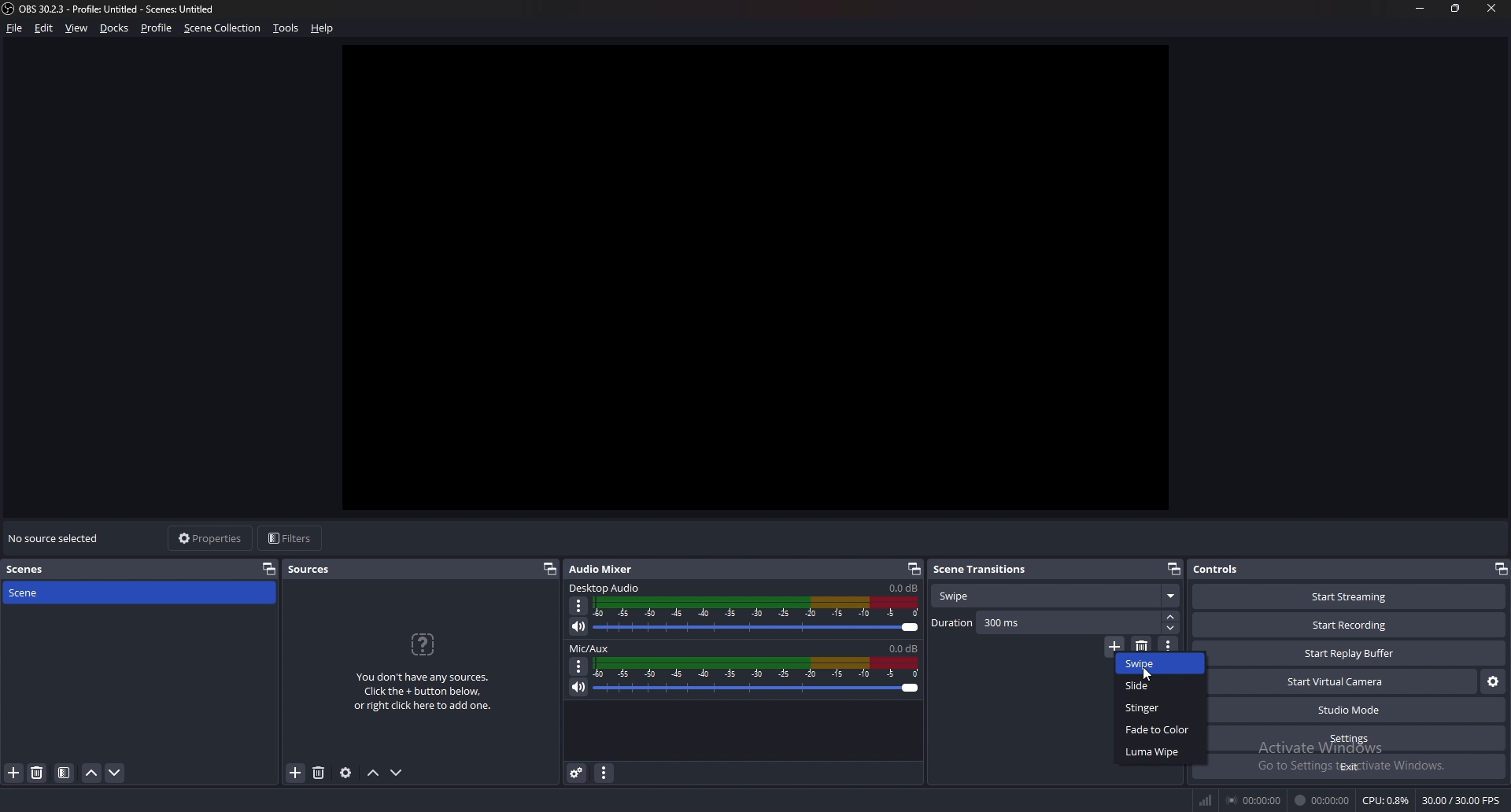  Describe the element at coordinates (52, 593) in the screenshot. I see `scene` at that location.